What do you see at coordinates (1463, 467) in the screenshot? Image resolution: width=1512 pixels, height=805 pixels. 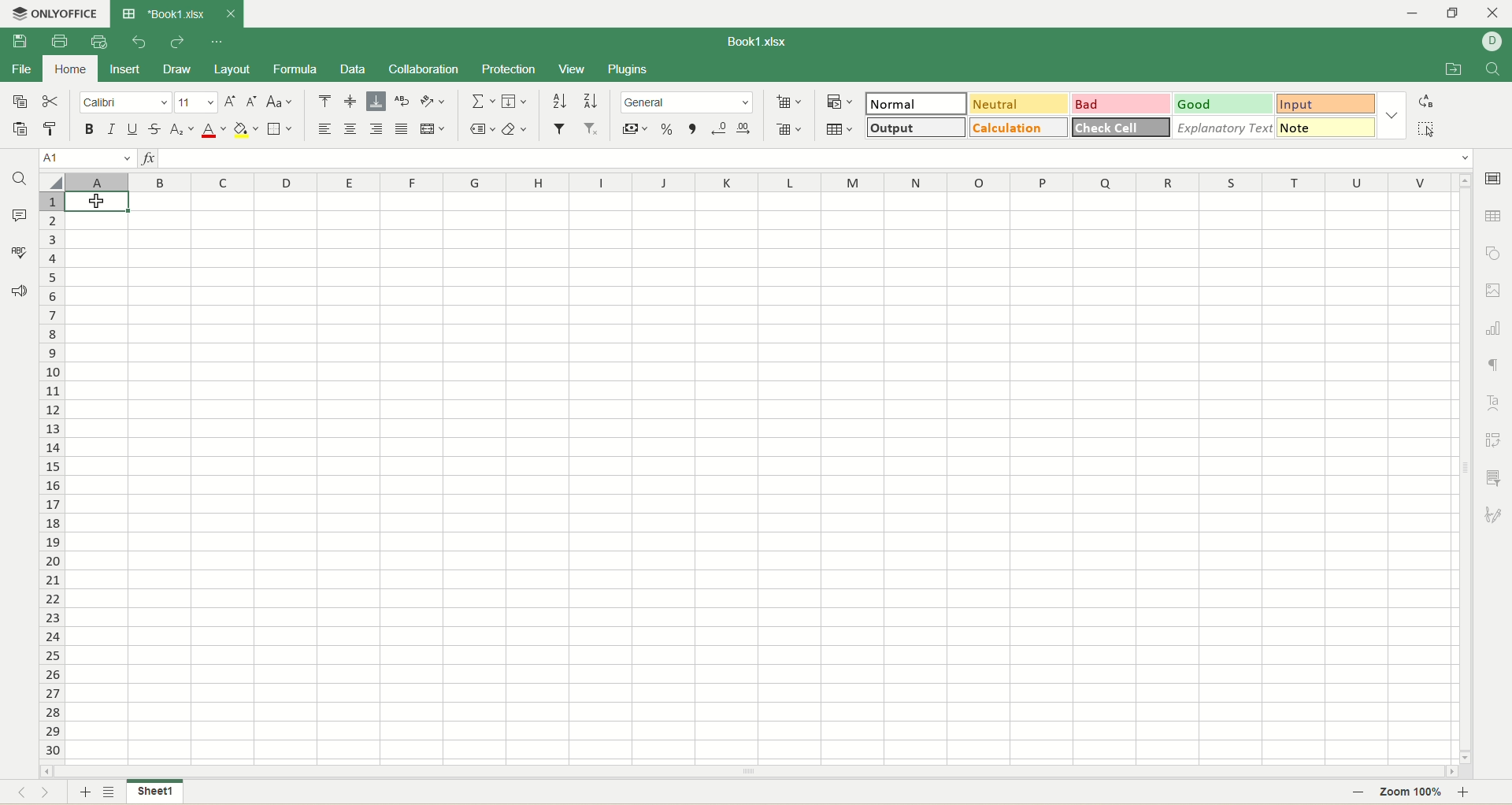 I see `vertical scroll bar` at bounding box center [1463, 467].